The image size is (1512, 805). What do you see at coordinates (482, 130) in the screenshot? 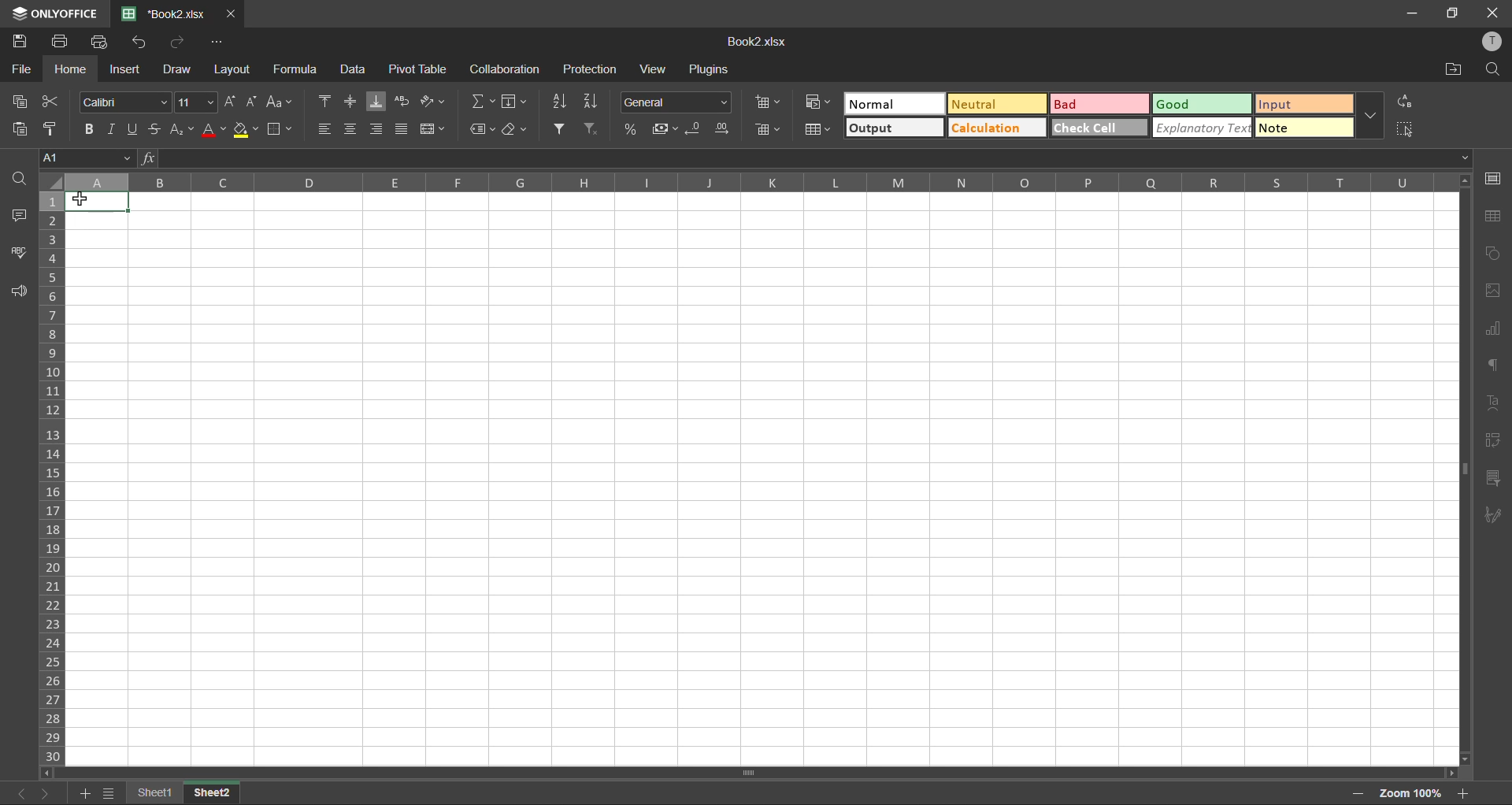
I see `named ranges` at bounding box center [482, 130].